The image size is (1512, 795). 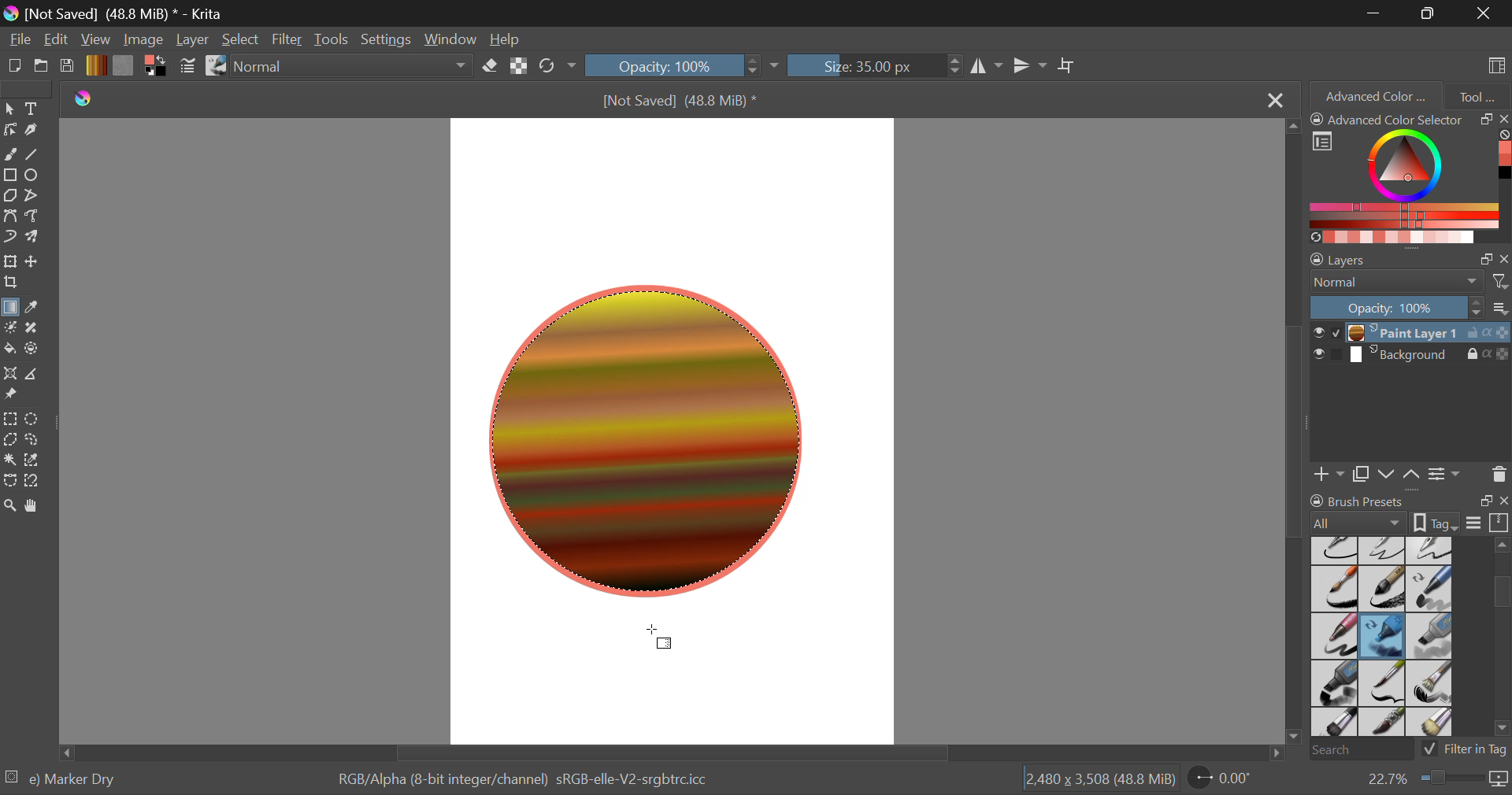 I want to click on , so click(x=233, y=102).